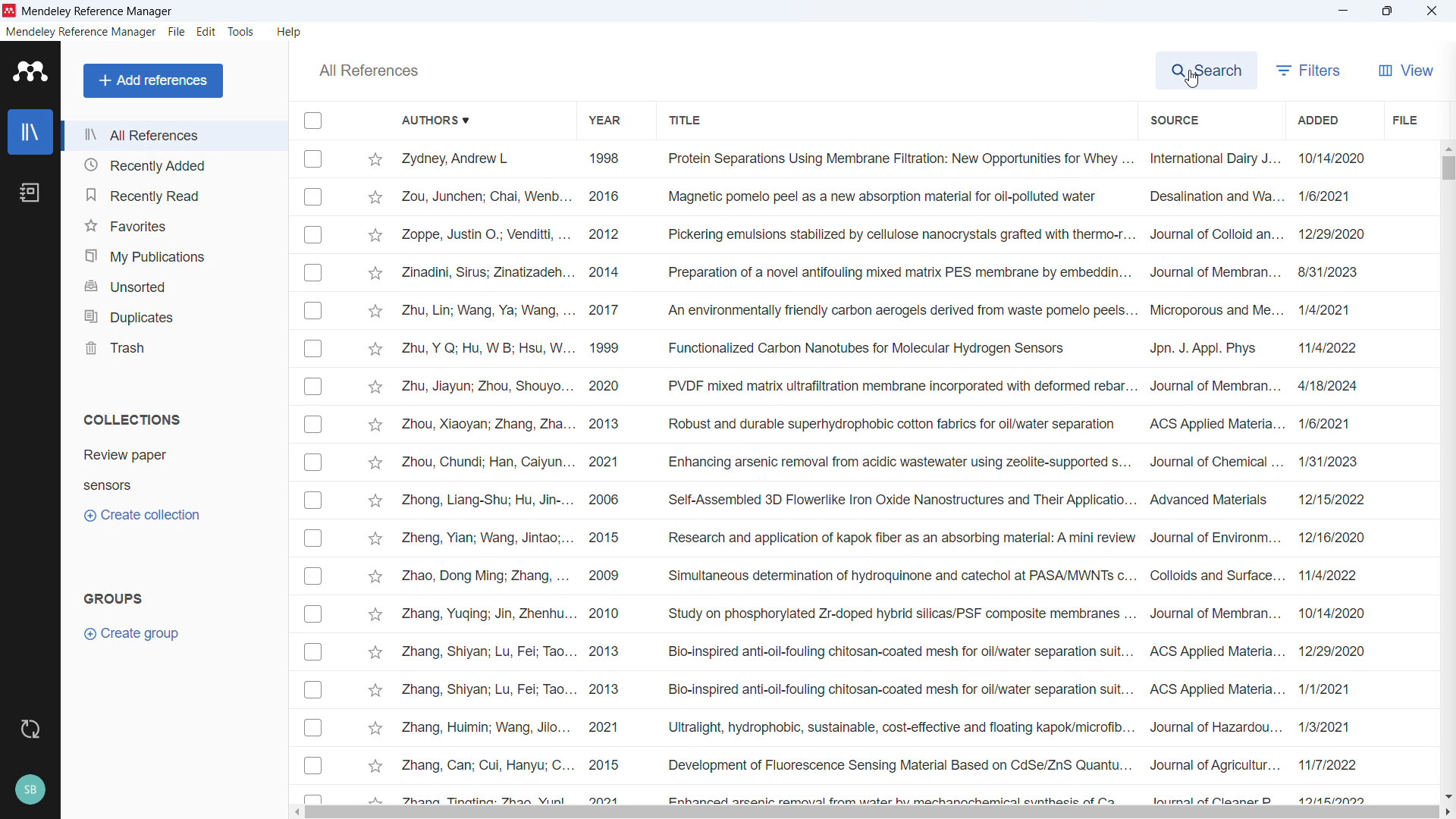 This screenshot has height=819, width=1456. Describe the element at coordinates (174, 193) in the screenshot. I see `Recently read ` at that location.